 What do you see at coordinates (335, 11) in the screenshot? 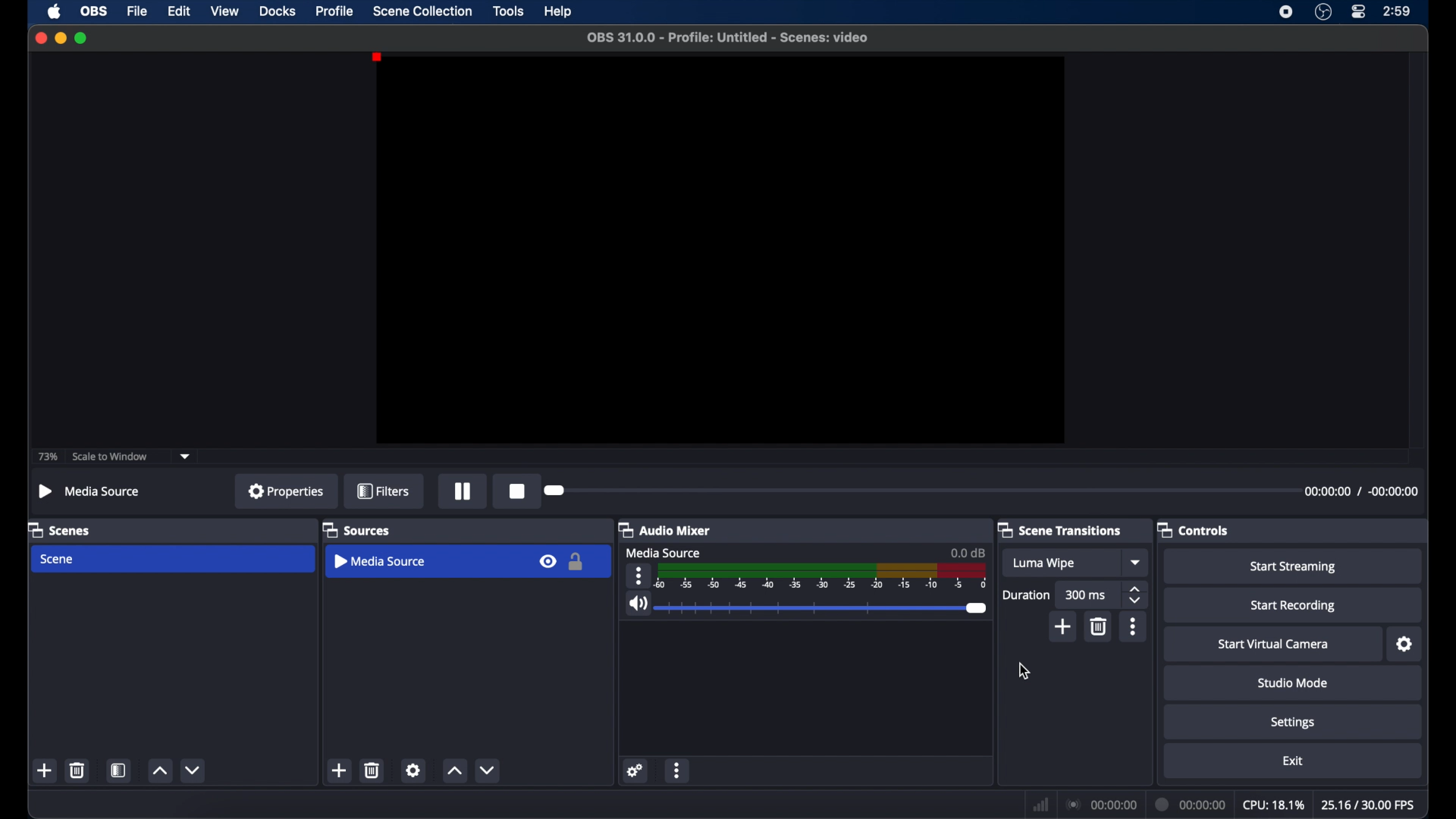
I see `profile` at bounding box center [335, 11].